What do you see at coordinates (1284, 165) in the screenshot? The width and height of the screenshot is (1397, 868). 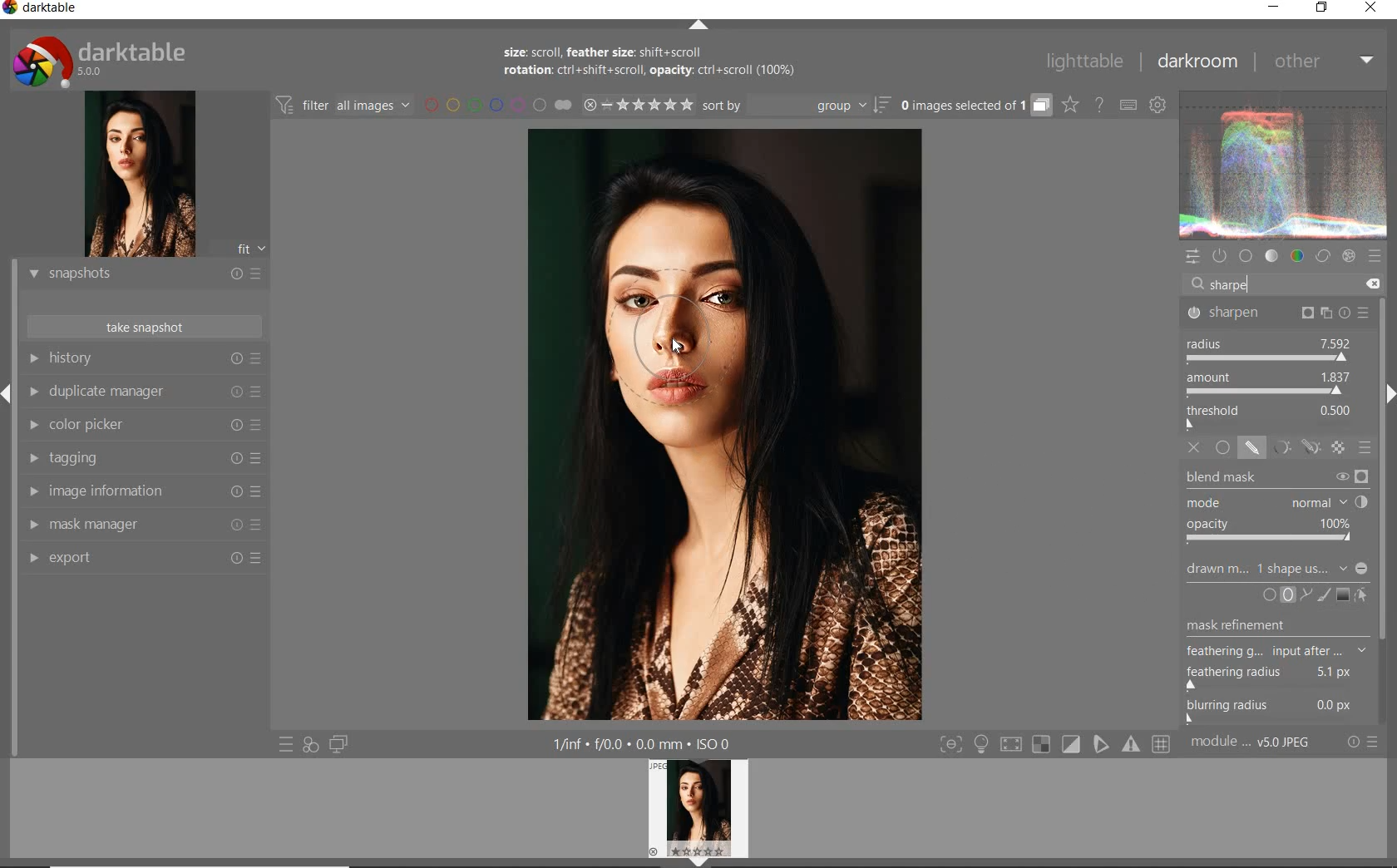 I see `waveform` at bounding box center [1284, 165].